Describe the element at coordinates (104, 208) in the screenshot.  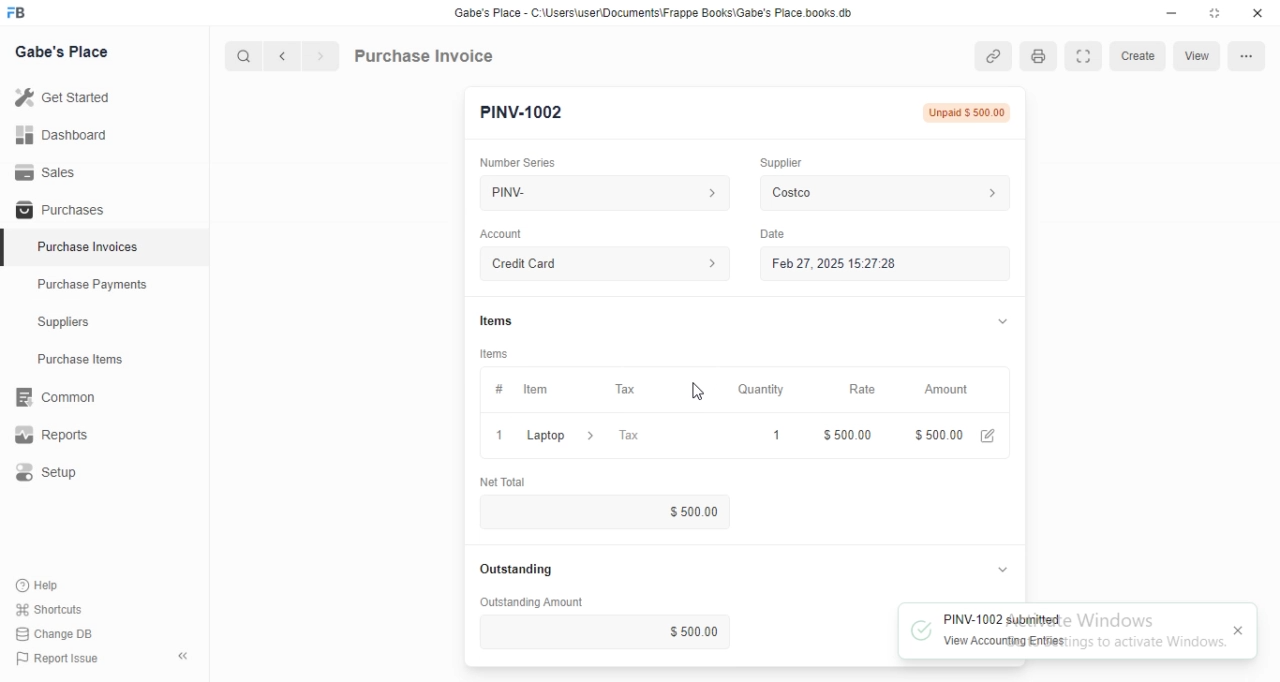
I see `Purchases` at that location.